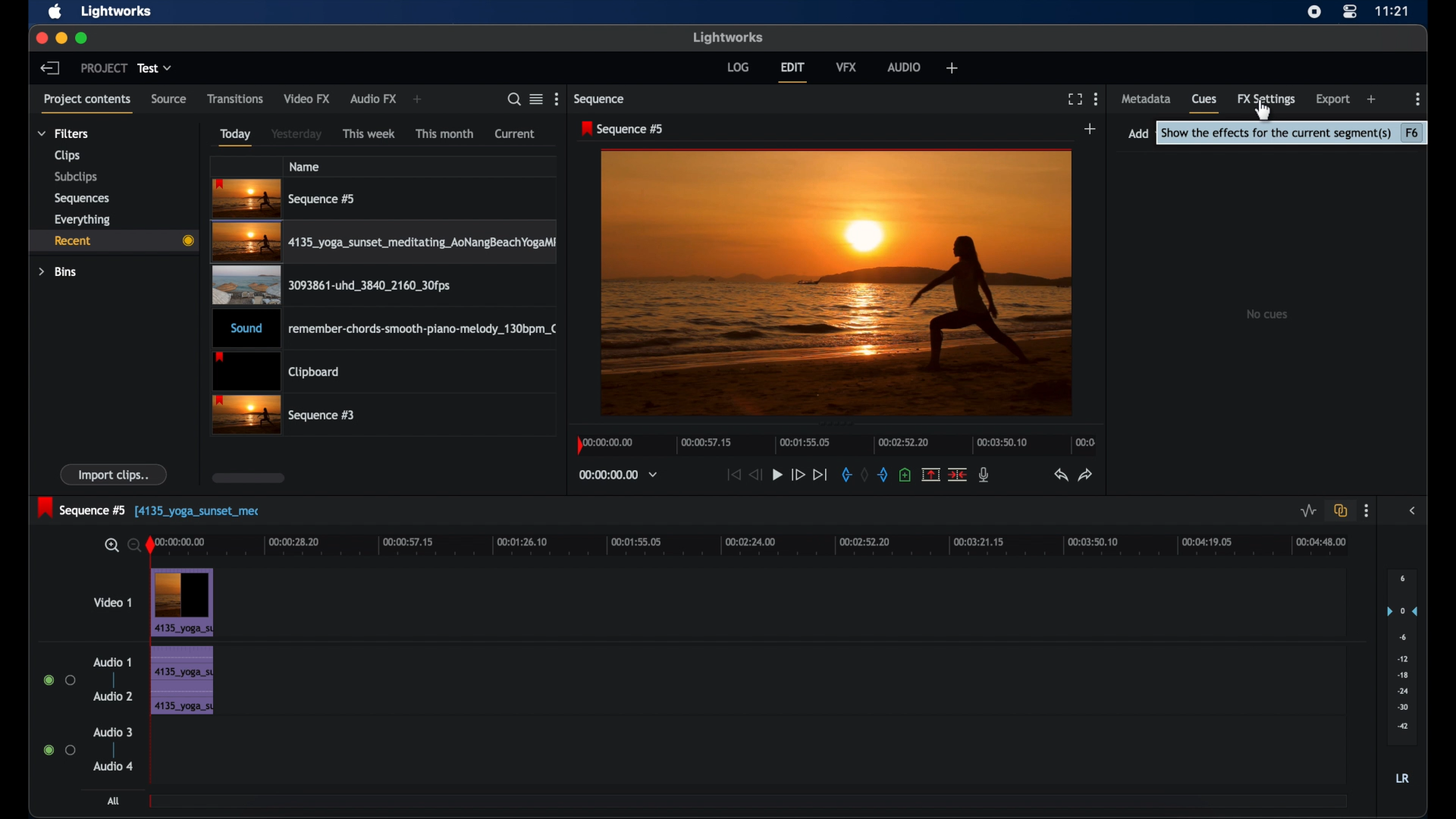 The width and height of the screenshot is (1456, 819). Describe the element at coordinates (905, 67) in the screenshot. I see `audio` at that location.